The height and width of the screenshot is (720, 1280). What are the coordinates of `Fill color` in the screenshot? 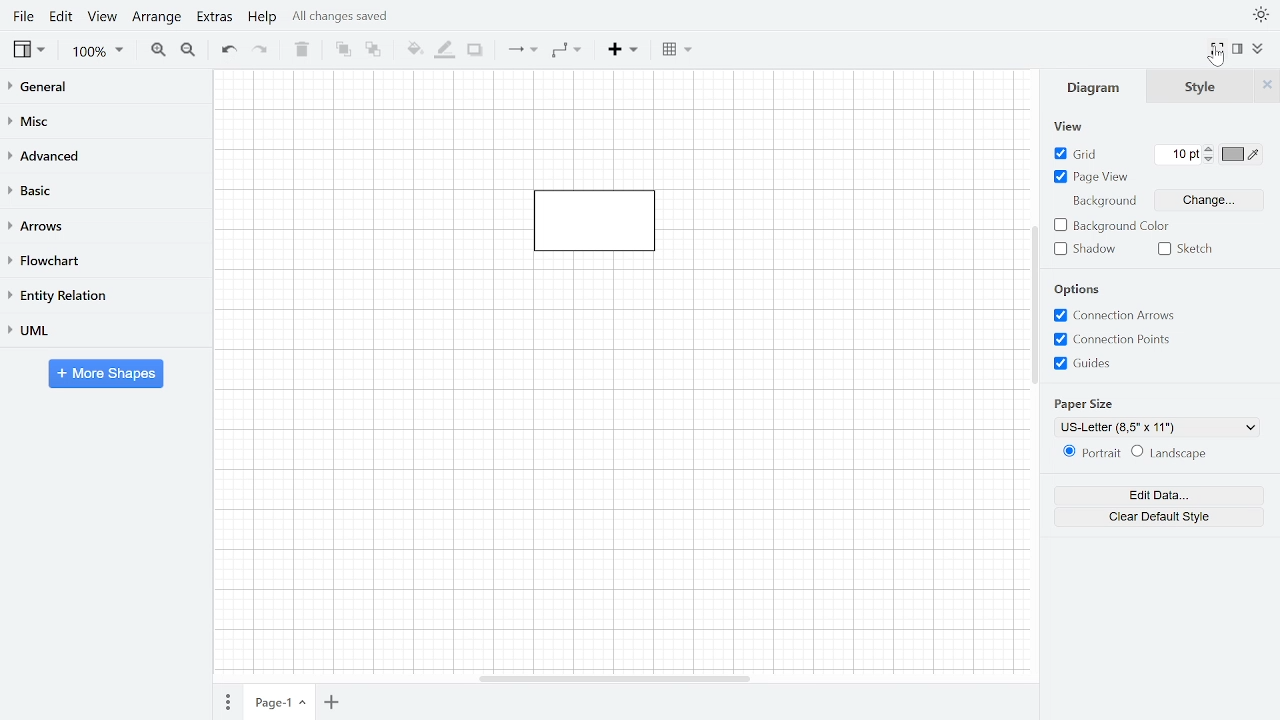 It's located at (414, 51).